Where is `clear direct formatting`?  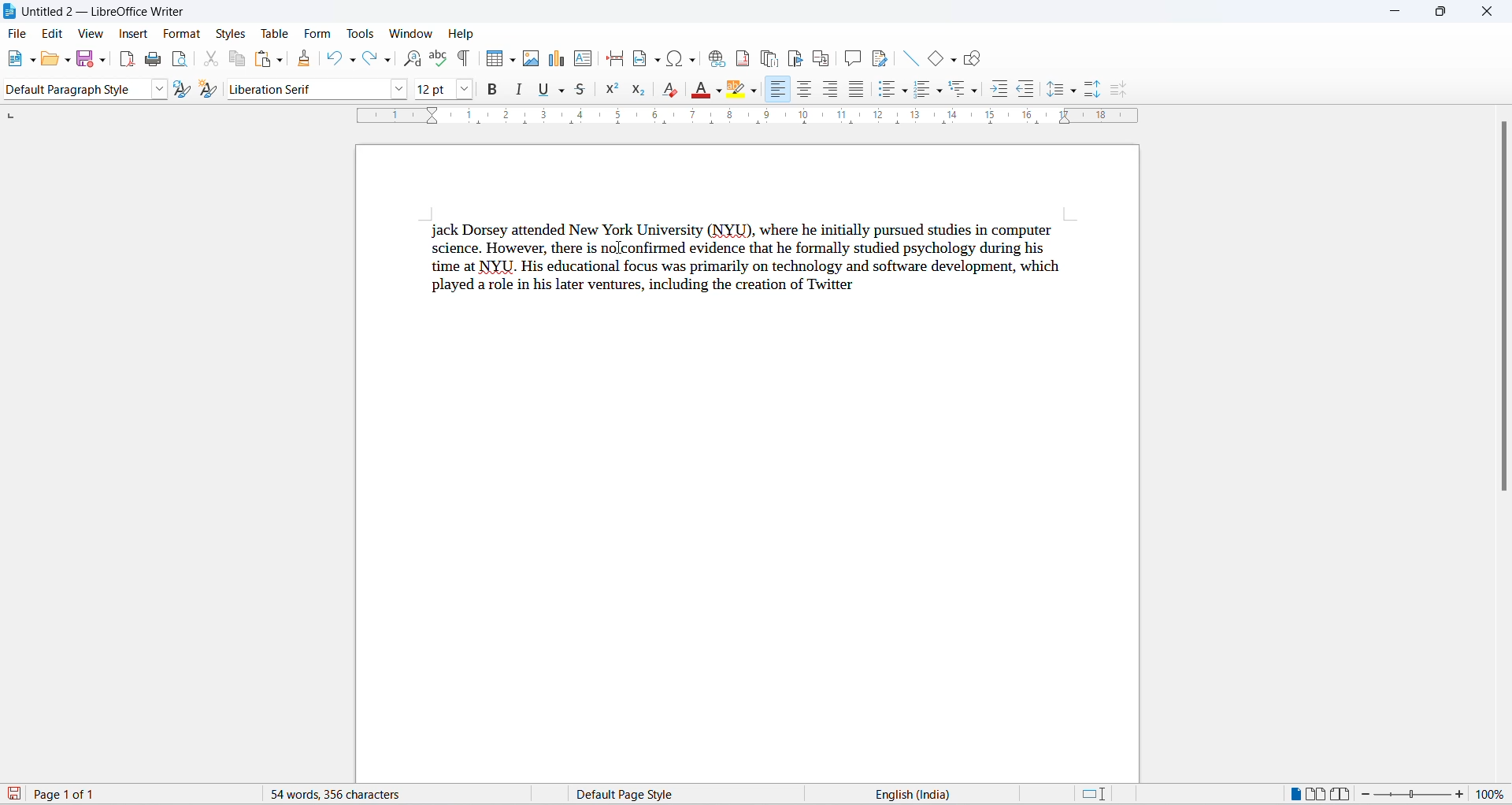 clear direct formatting is located at coordinates (673, 89).